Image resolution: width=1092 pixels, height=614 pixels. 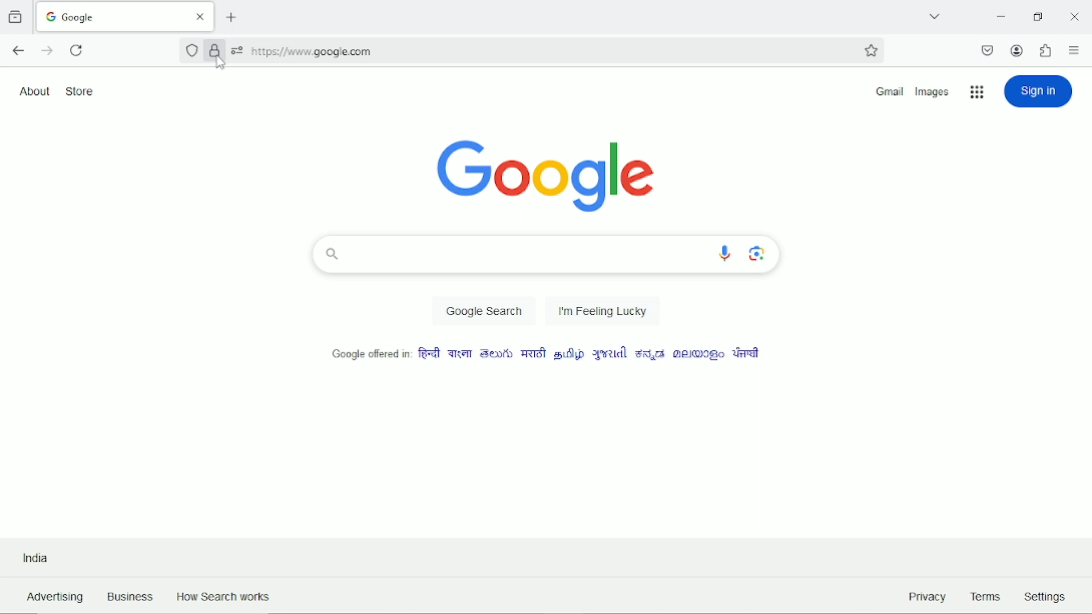 I want to click on Minimize, so click(x=1001, y=14).